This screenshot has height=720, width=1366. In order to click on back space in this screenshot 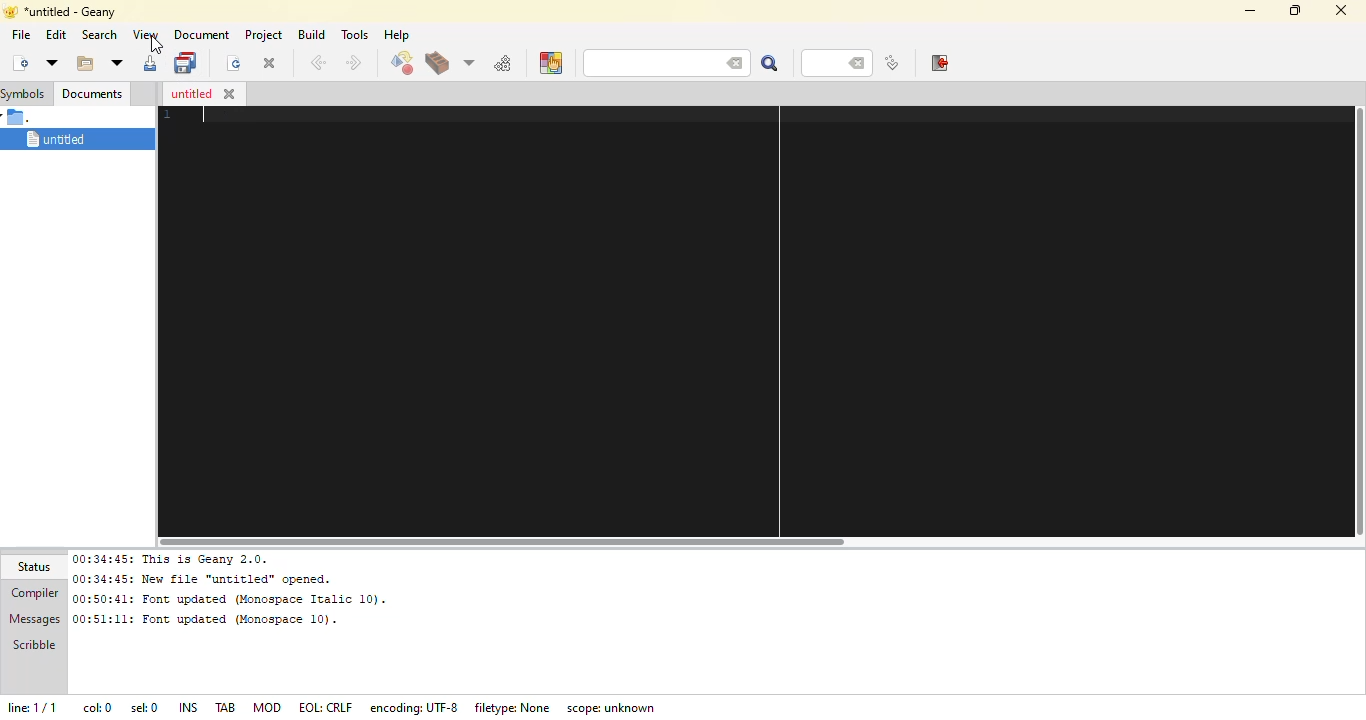, I will do `click(859, 64)`.